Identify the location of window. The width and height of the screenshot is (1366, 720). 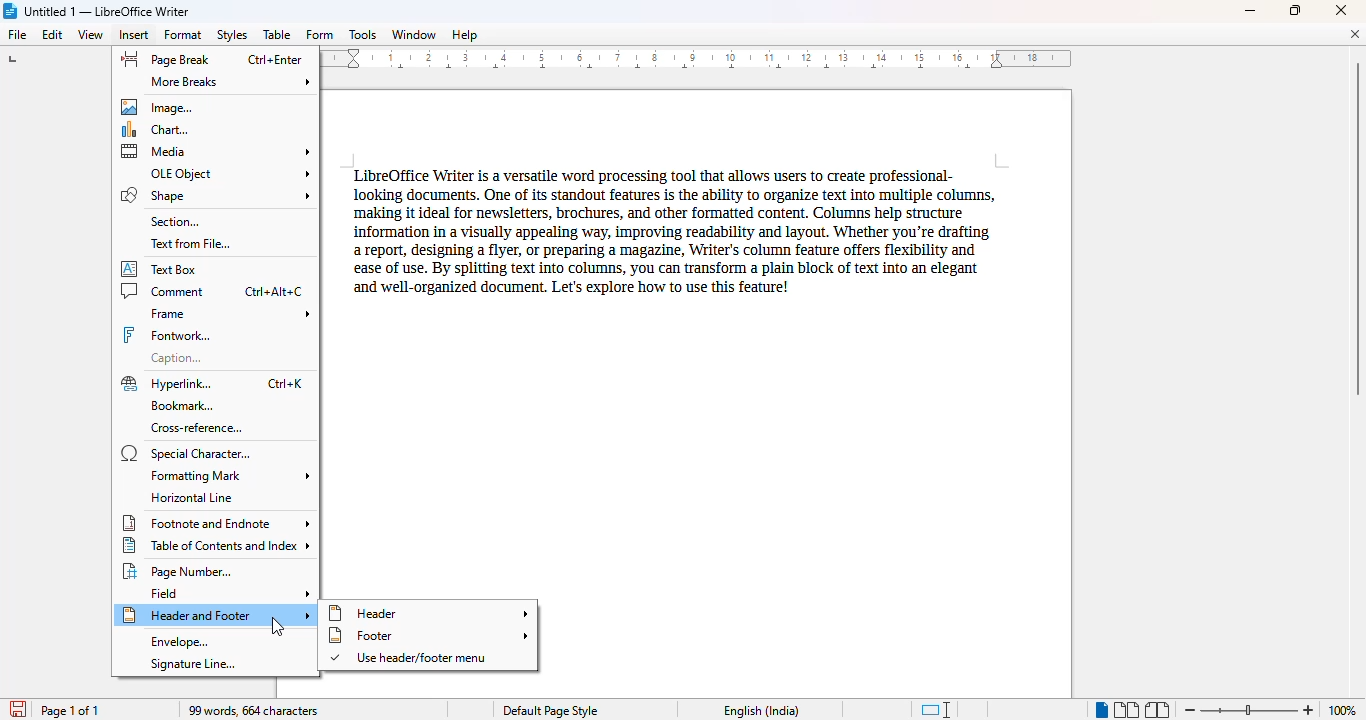
(414, 34).